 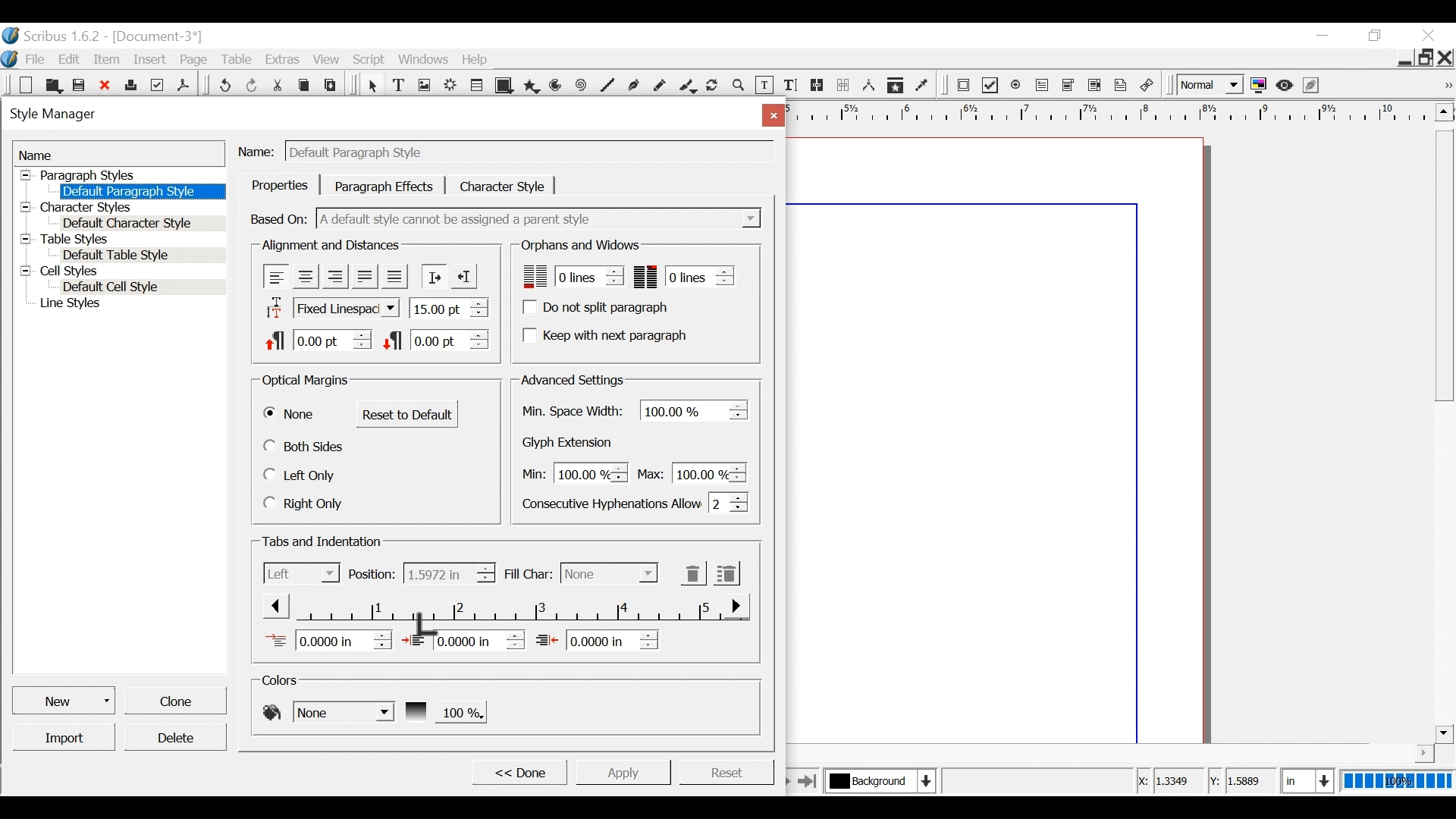 What do you see at coordinates (1260, 86) in the screenshot?
I see `Toggle color` at bounding box center [1260, 86].